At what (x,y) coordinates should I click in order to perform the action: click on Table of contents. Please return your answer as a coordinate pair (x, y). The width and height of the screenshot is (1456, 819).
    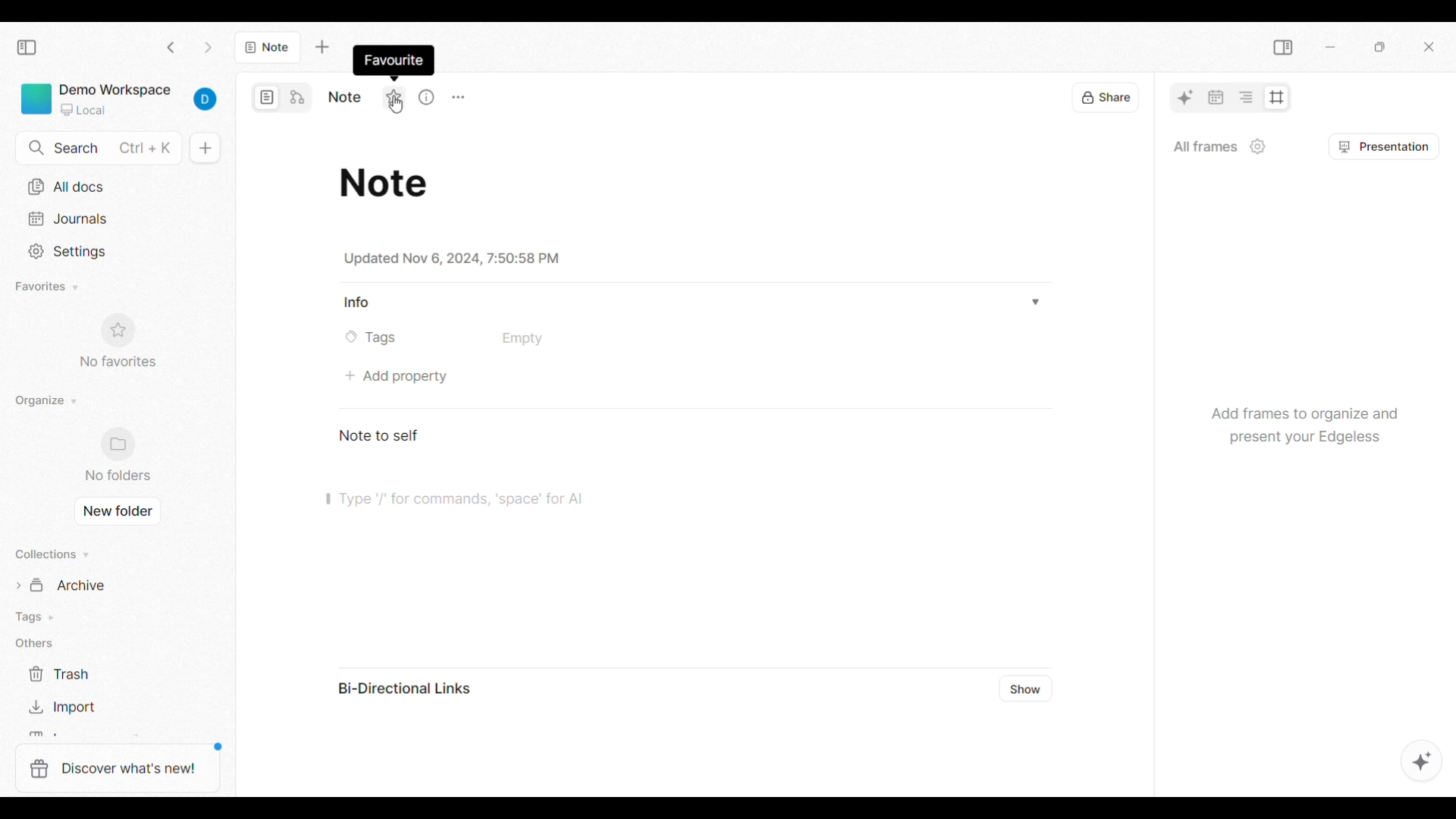
    Looking at the image, I should click on (1245, 97).